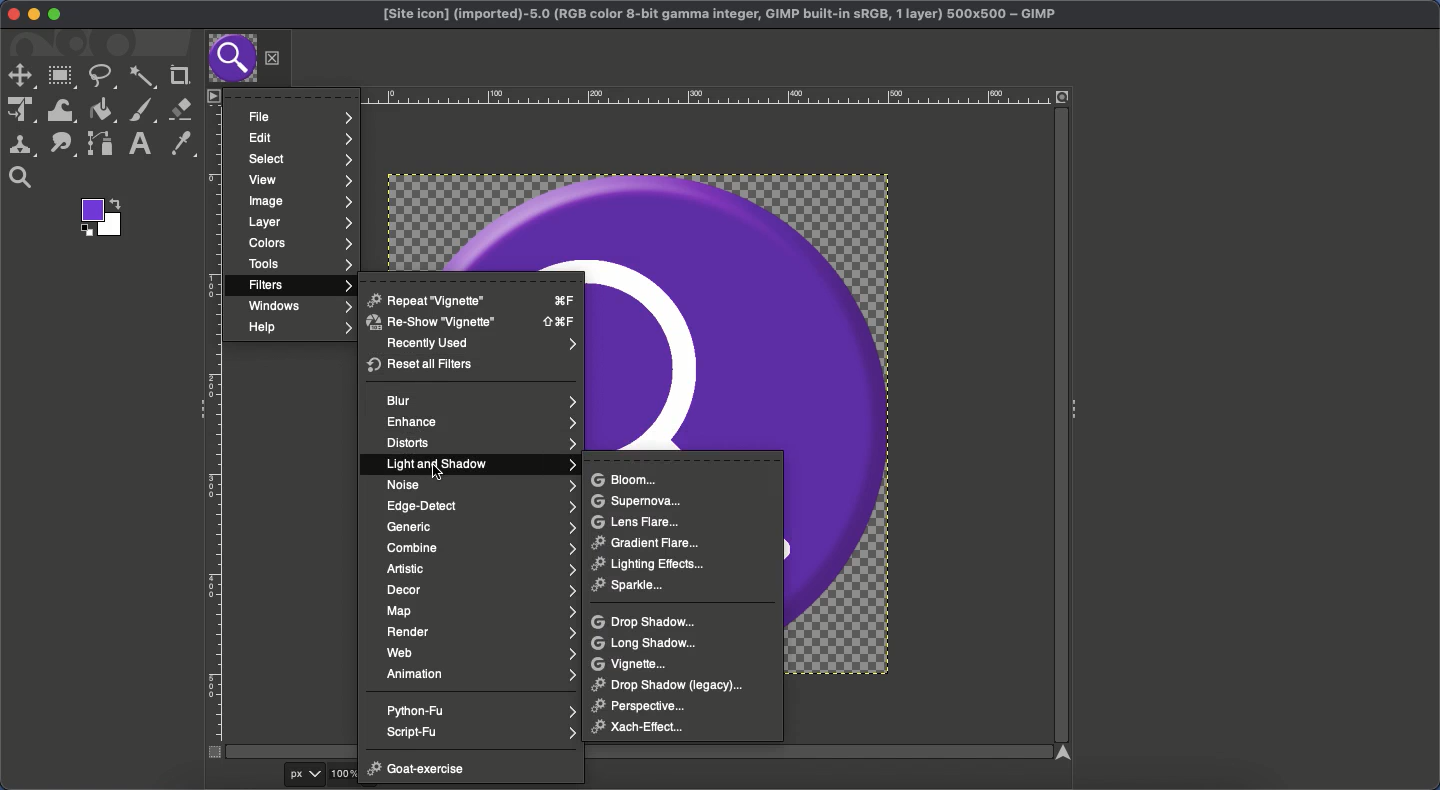  Describe the element at coordinates (215, 432) in the screenshot. I see `Ruler` at that location.